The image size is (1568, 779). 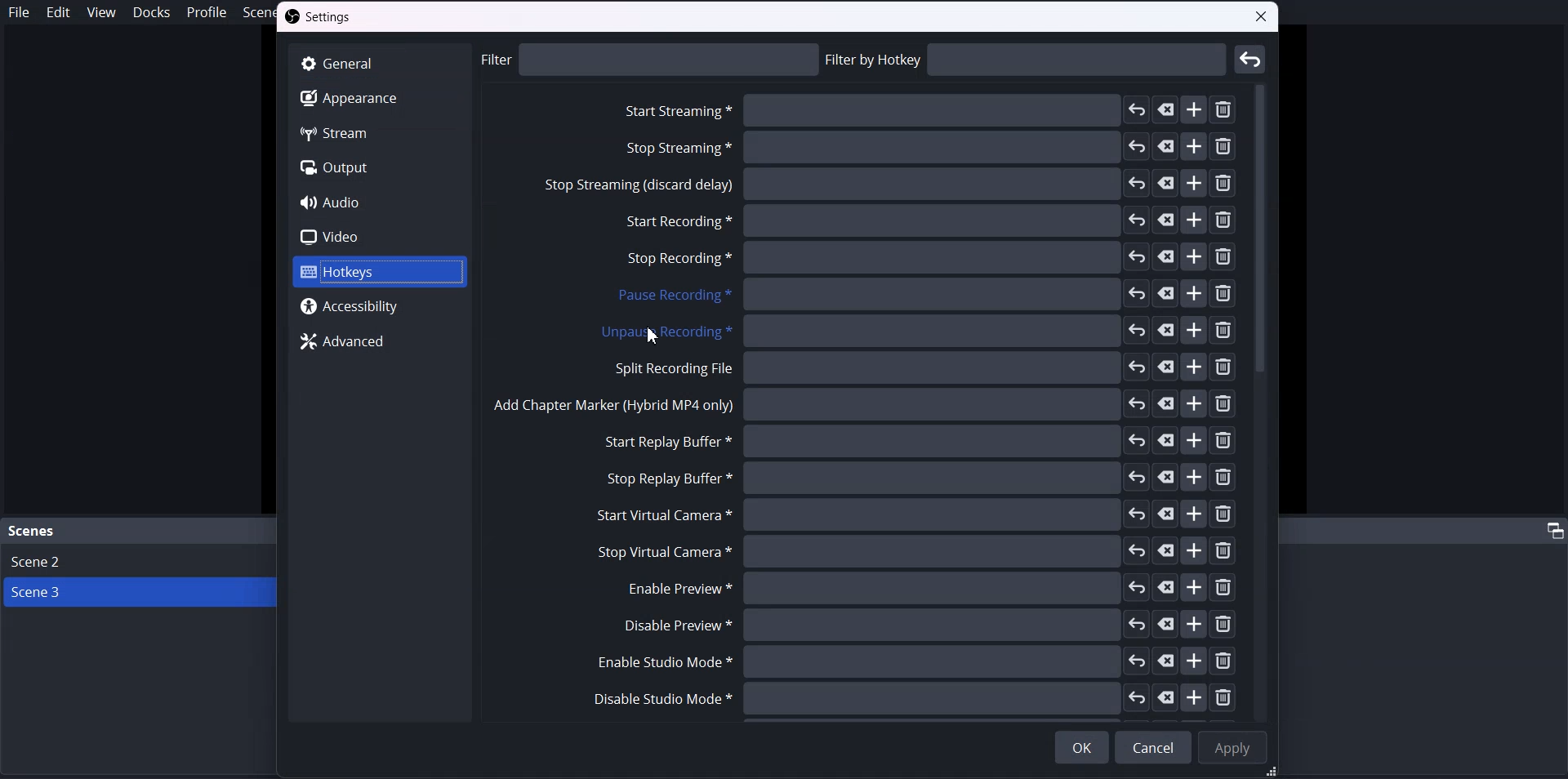 I want to click on Disable Preview, so click(x=927, y=624).